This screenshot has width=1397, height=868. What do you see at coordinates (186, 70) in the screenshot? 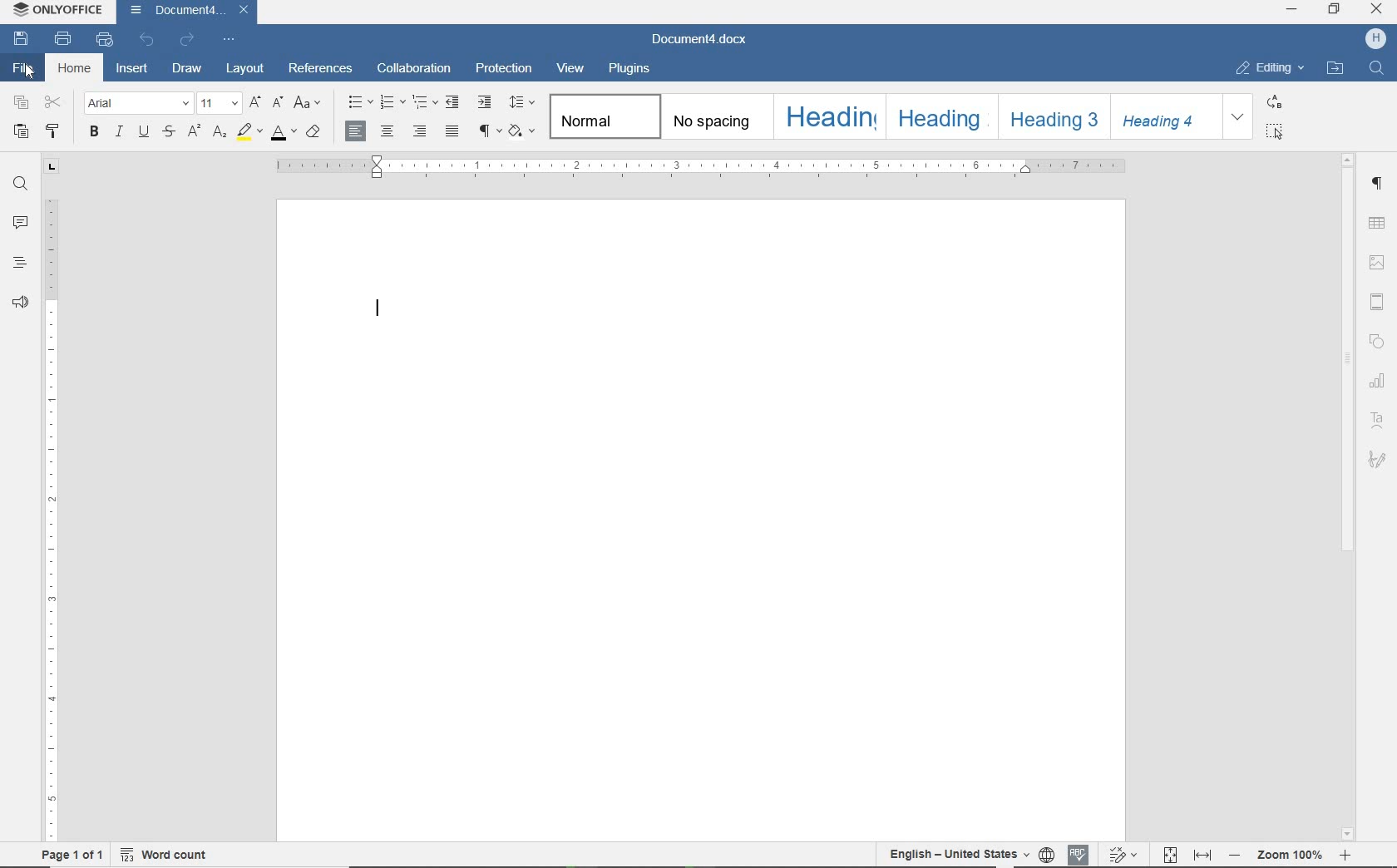
I see `draw` at bounding box center [186, 70].